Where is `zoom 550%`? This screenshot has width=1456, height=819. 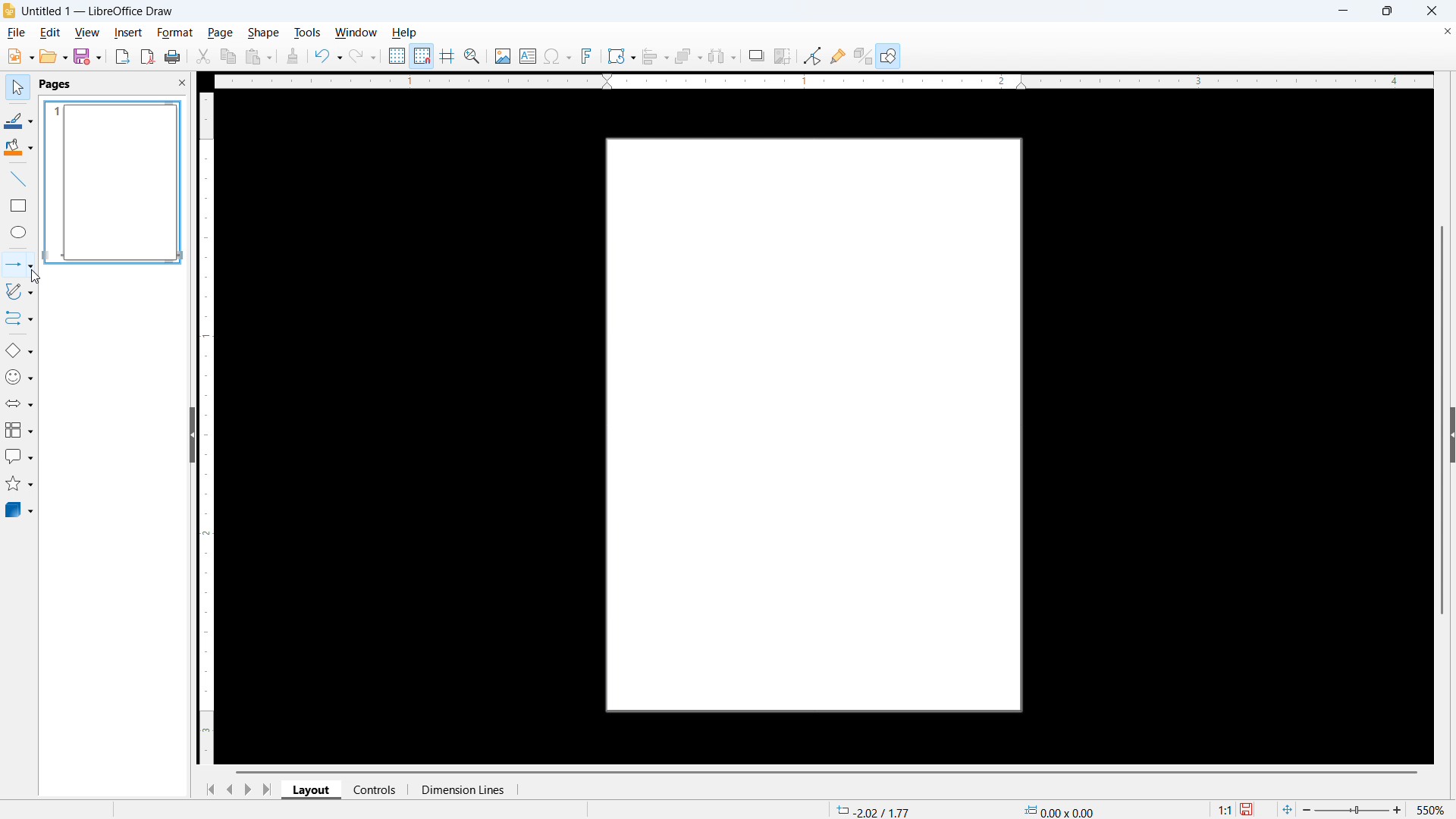 zoom 550% is located at coordinates (1377, 808).